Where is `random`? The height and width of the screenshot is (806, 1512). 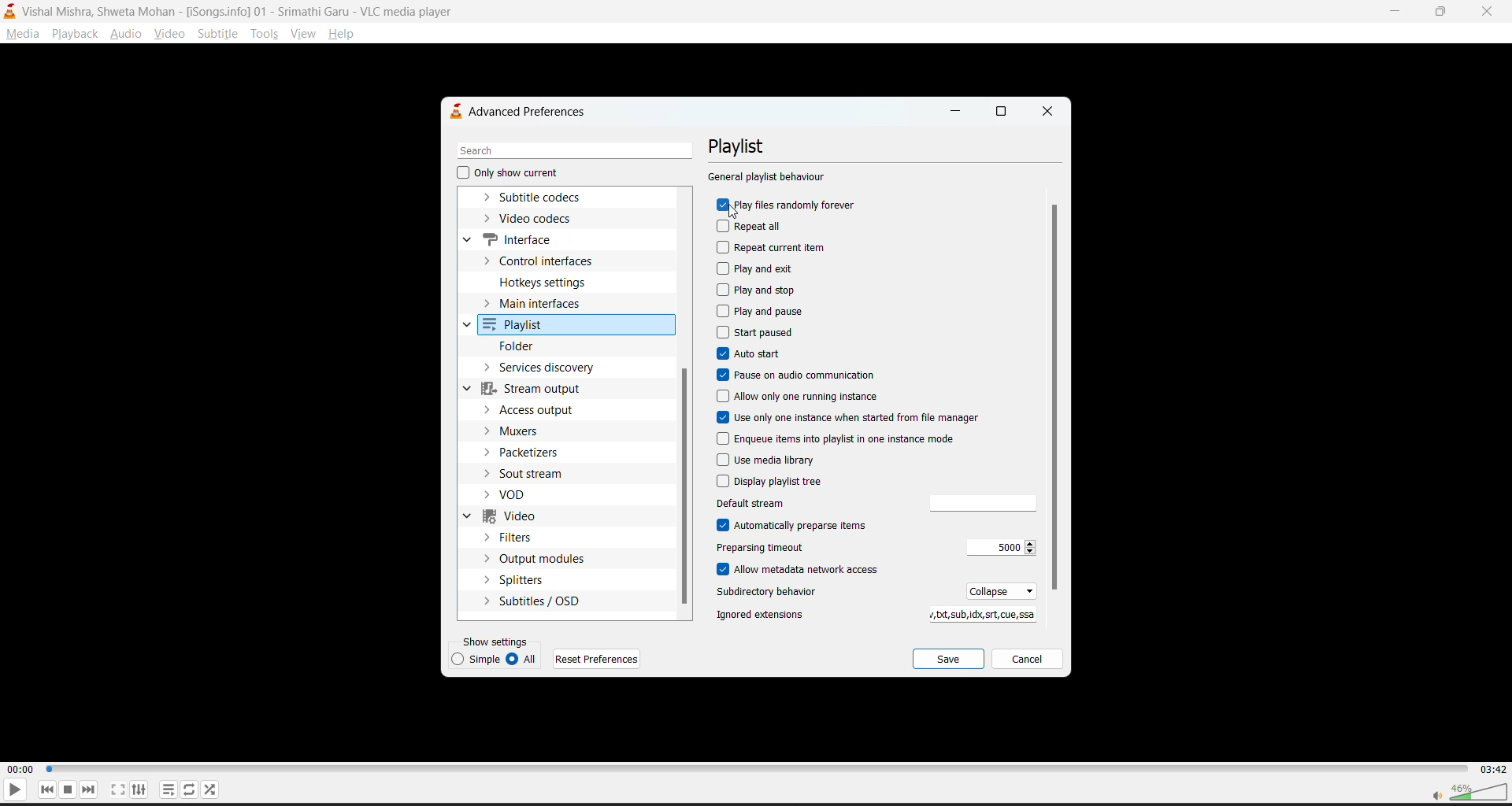 random is located at coordinates (209, 787).